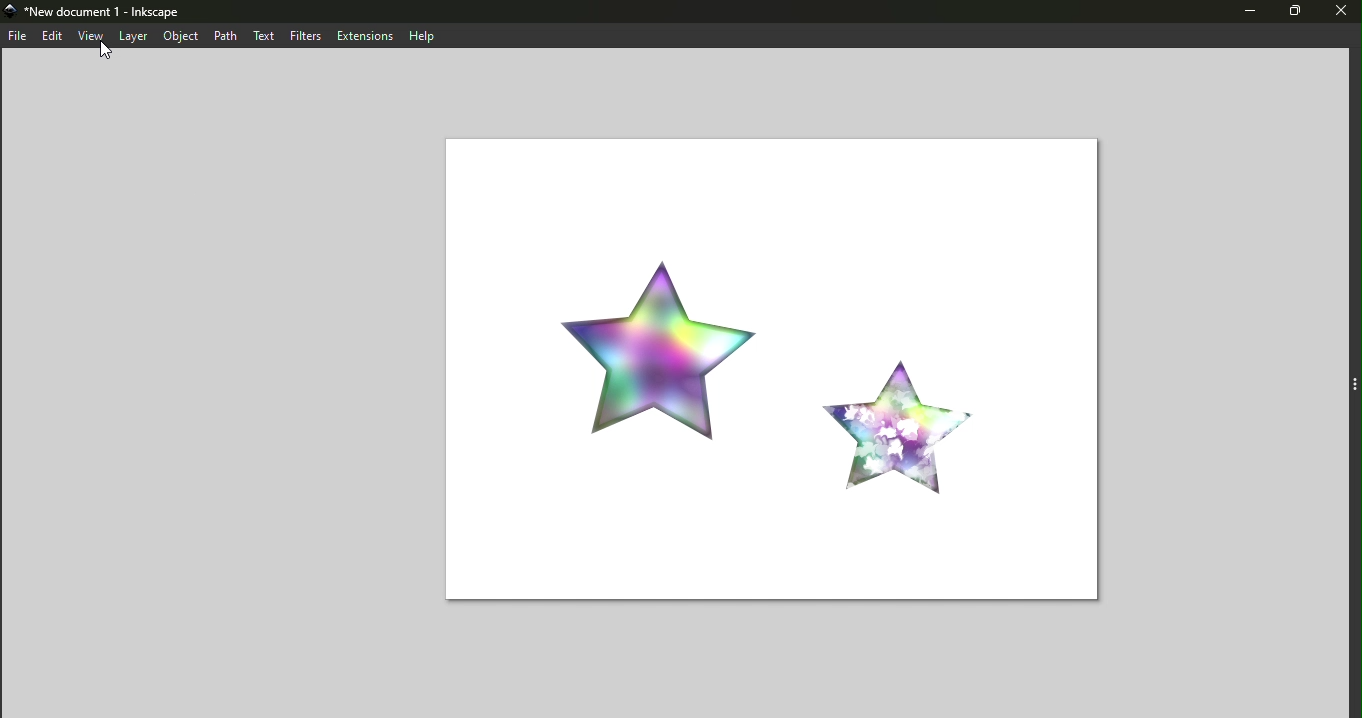 The image size is (1362, 718). I want to click on Path, so click(229, 35).